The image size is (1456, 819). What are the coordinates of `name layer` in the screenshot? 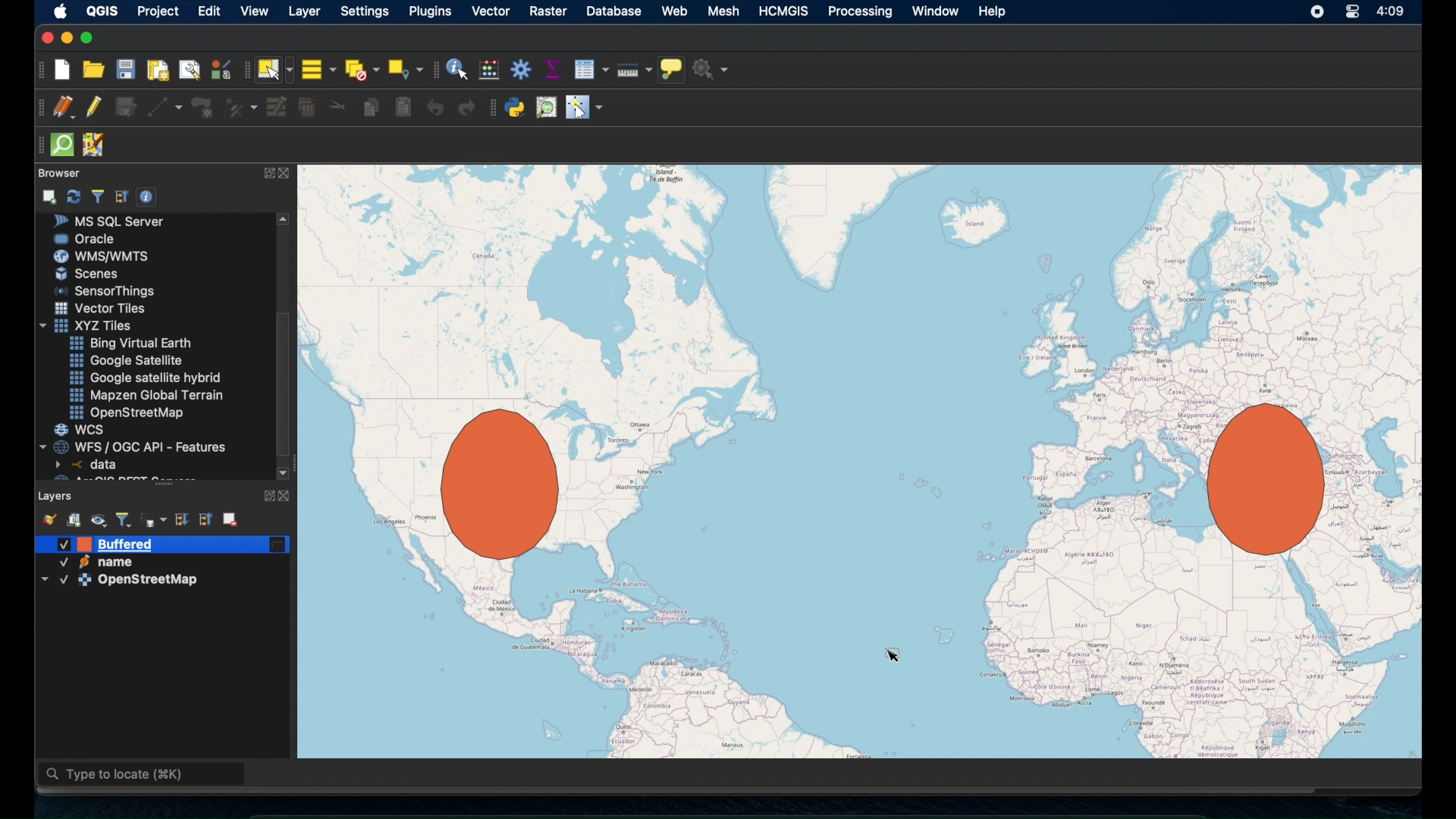 It's located at (102, 564).